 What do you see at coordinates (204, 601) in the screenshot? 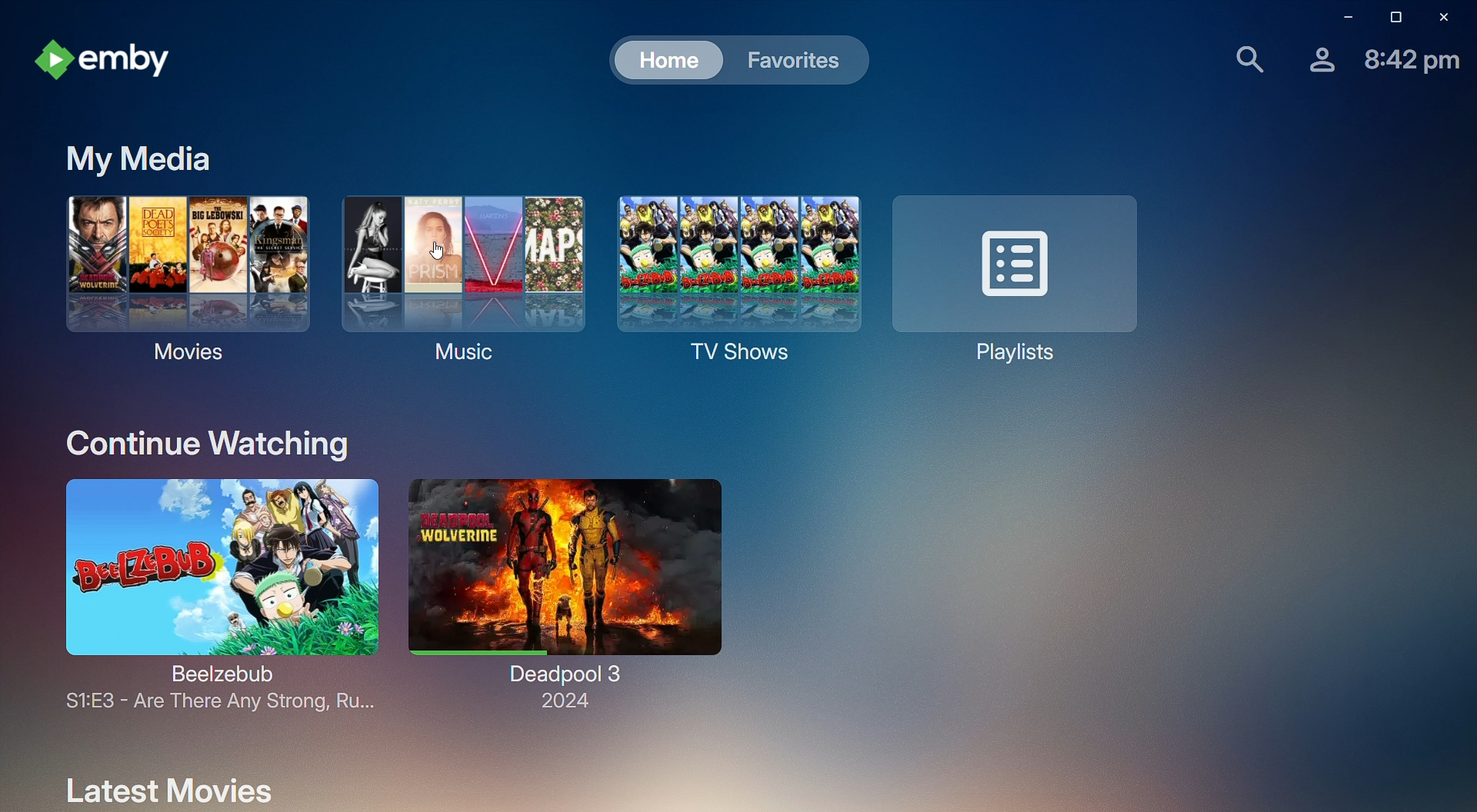
I see `Beelzebub` at bounding box center [204, 601].